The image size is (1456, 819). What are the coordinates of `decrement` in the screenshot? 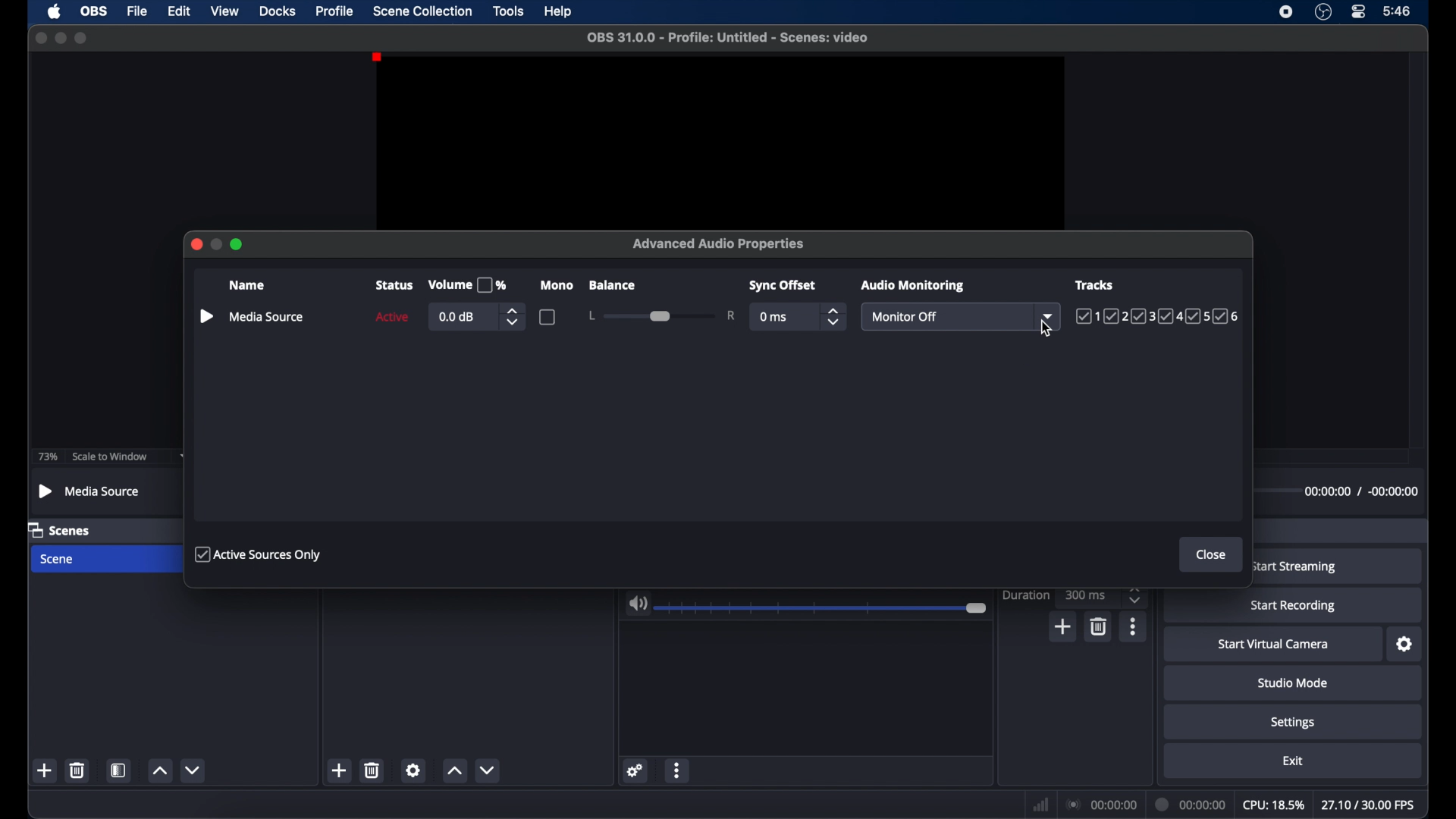 It's located at (193, 770).